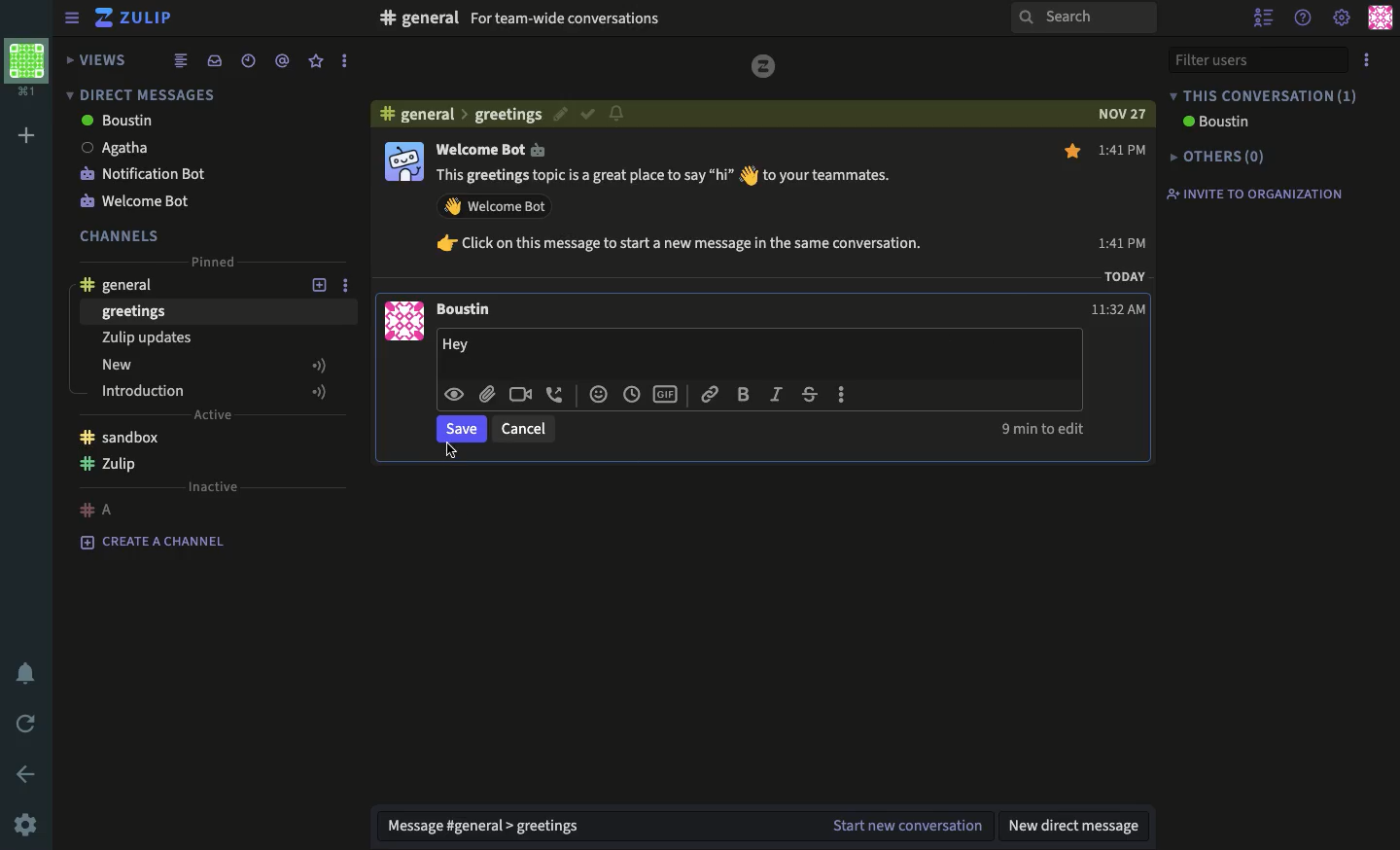  Describe the element at coordinates (1263, 17) in the screenshot. I see `hide user list` at that location.